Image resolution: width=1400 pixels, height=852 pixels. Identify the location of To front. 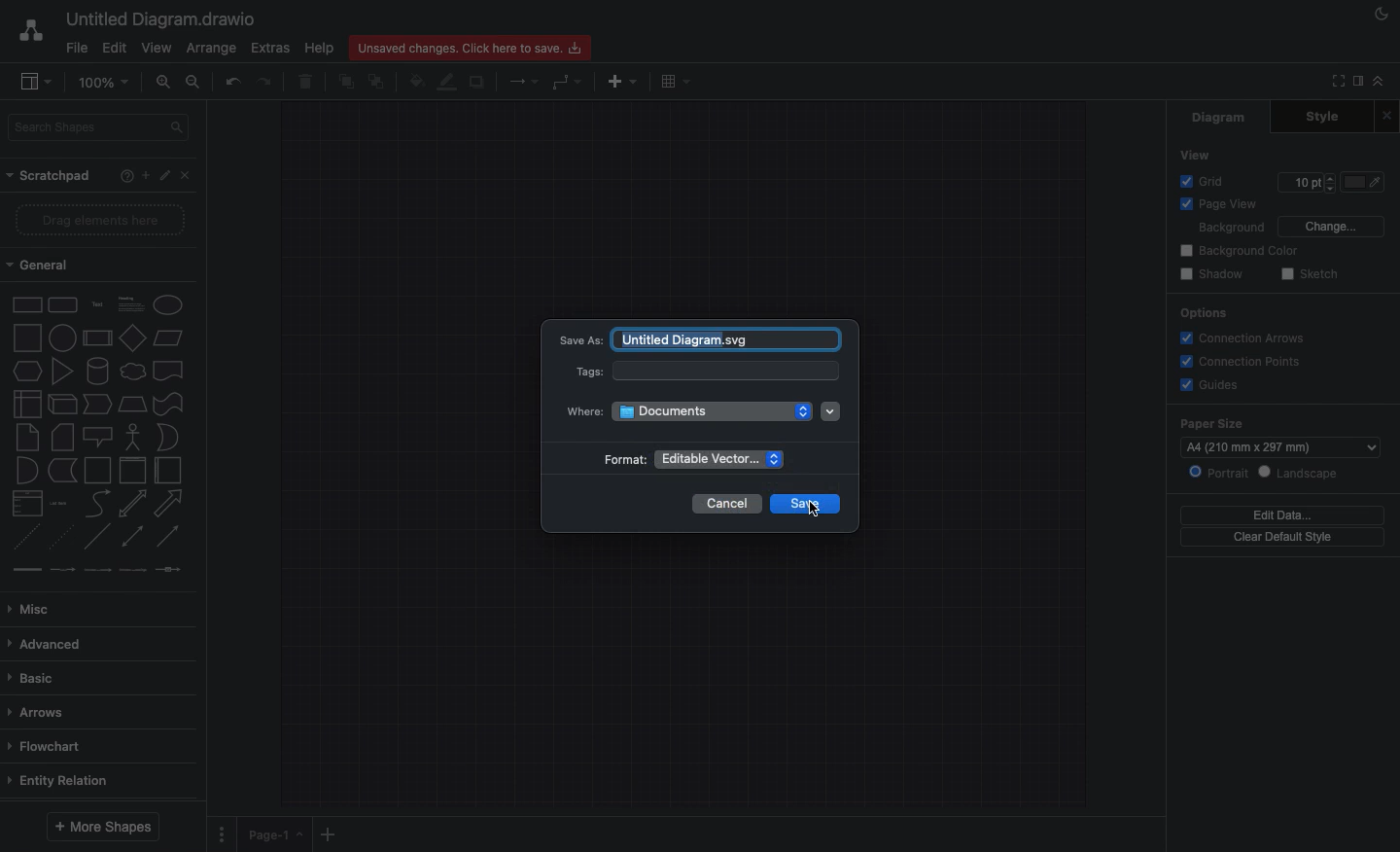
(344, 85).